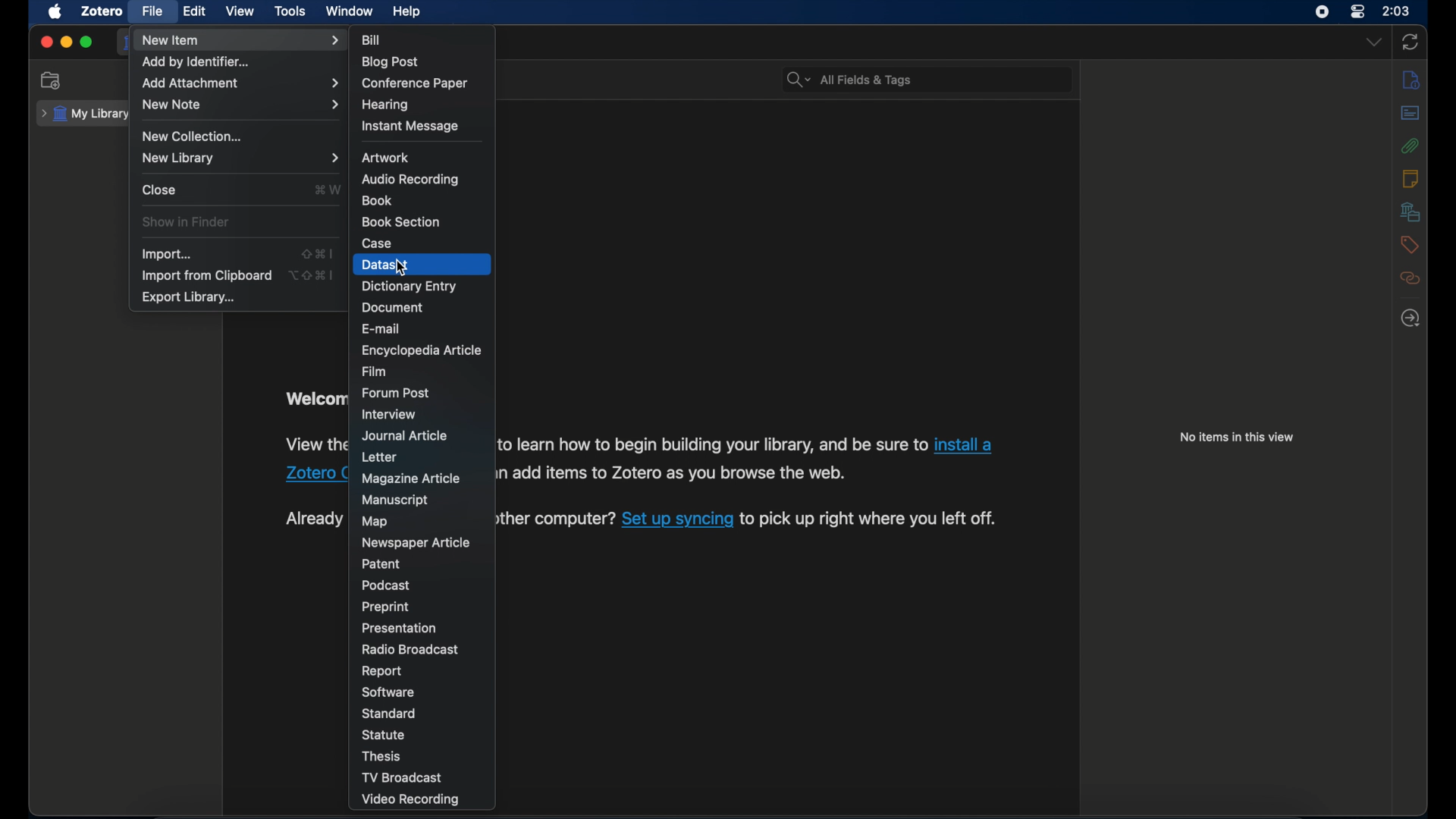 The width and height of the screenshot is (1456, 819). Describe the element at coordinates (1323, 12) in the screenshot. I see `screen recorder` at that location.